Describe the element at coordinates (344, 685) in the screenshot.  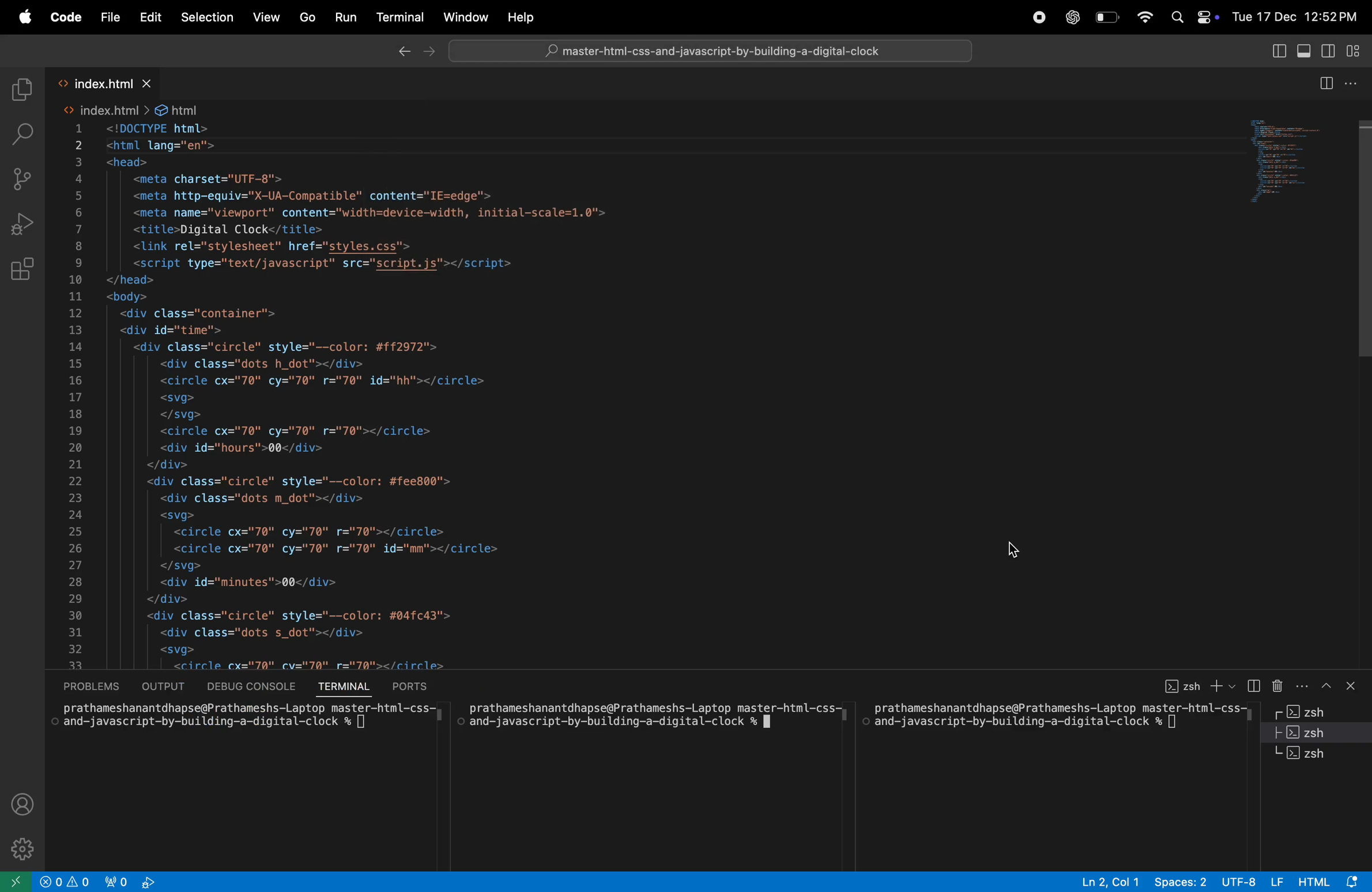
I see `terminal` at that location.